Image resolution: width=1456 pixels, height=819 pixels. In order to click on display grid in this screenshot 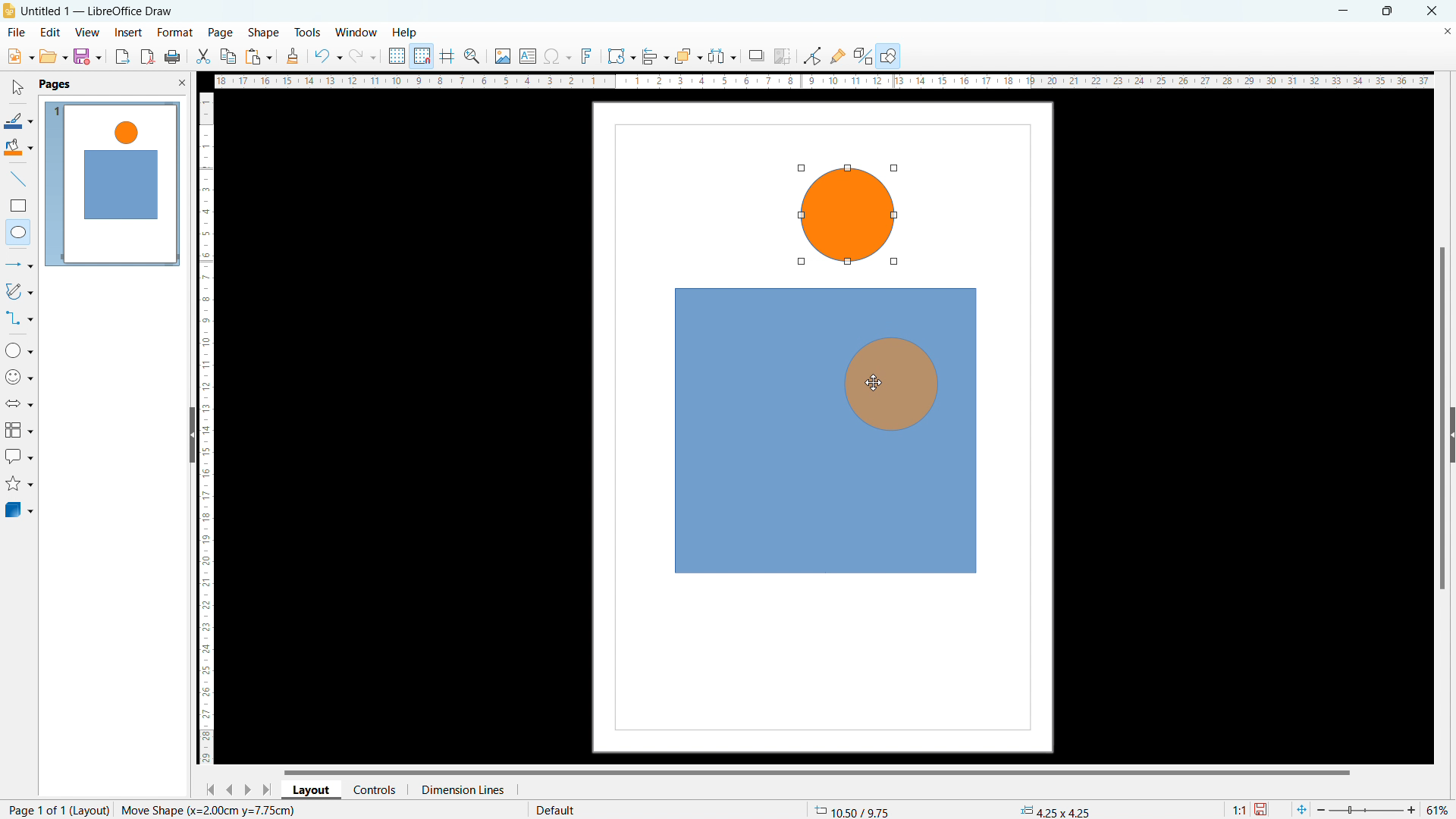, I will do `click(396, 56)`.